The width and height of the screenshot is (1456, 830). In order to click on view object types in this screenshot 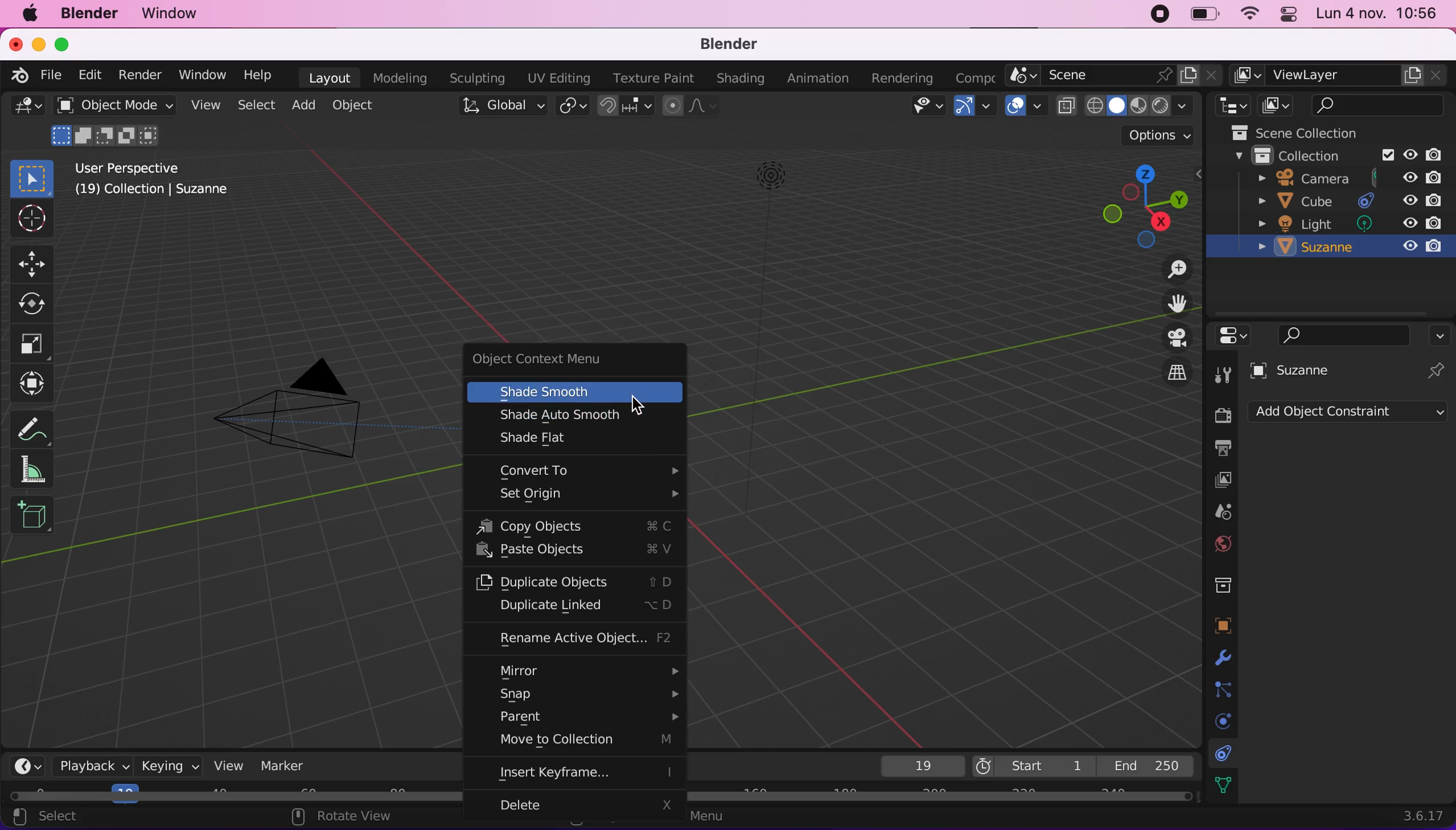, I will do `click(924, 108)`.